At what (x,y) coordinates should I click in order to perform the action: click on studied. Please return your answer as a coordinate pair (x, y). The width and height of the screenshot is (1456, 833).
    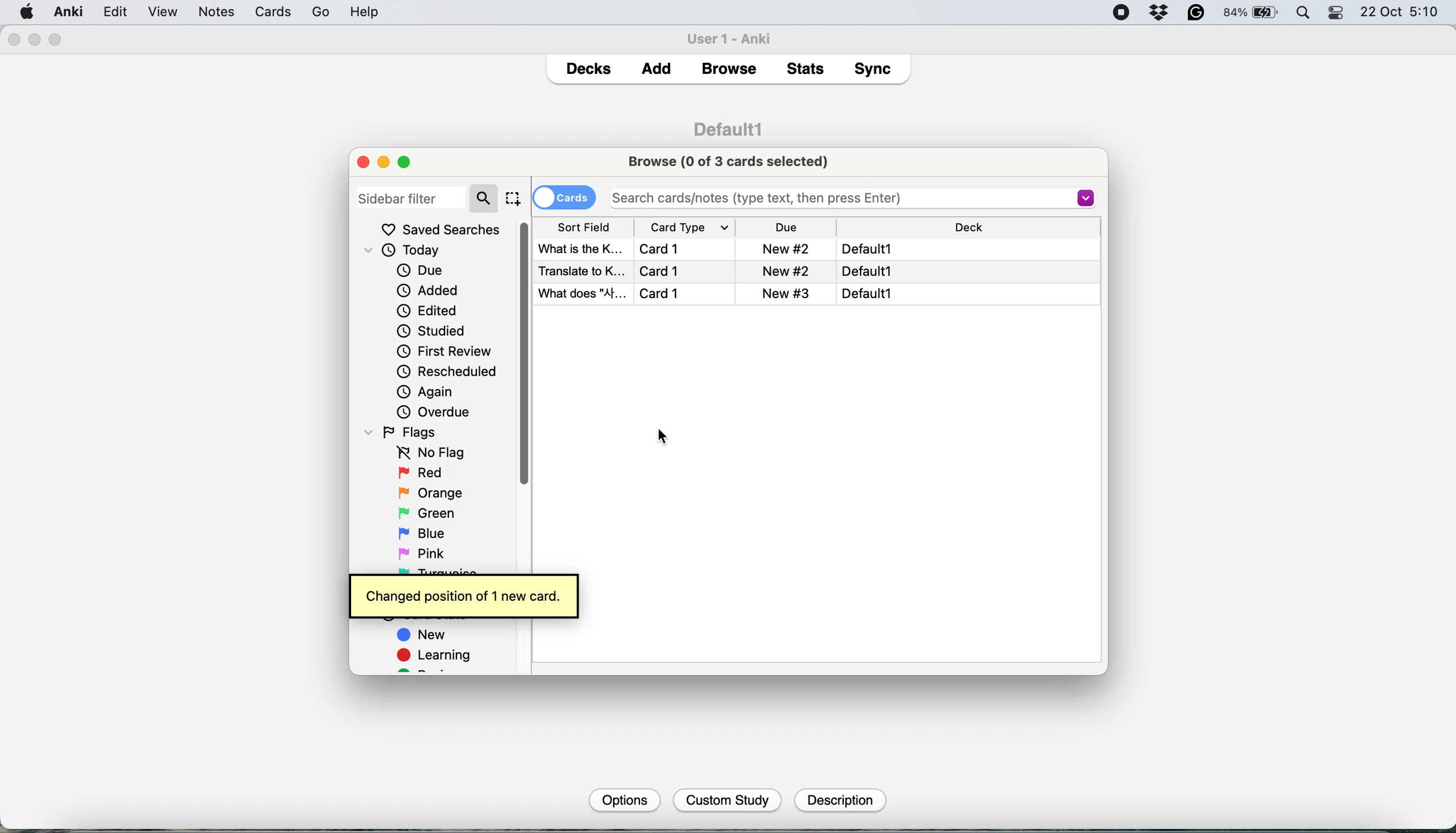
    Looking at the image, I should click on (432, 330).